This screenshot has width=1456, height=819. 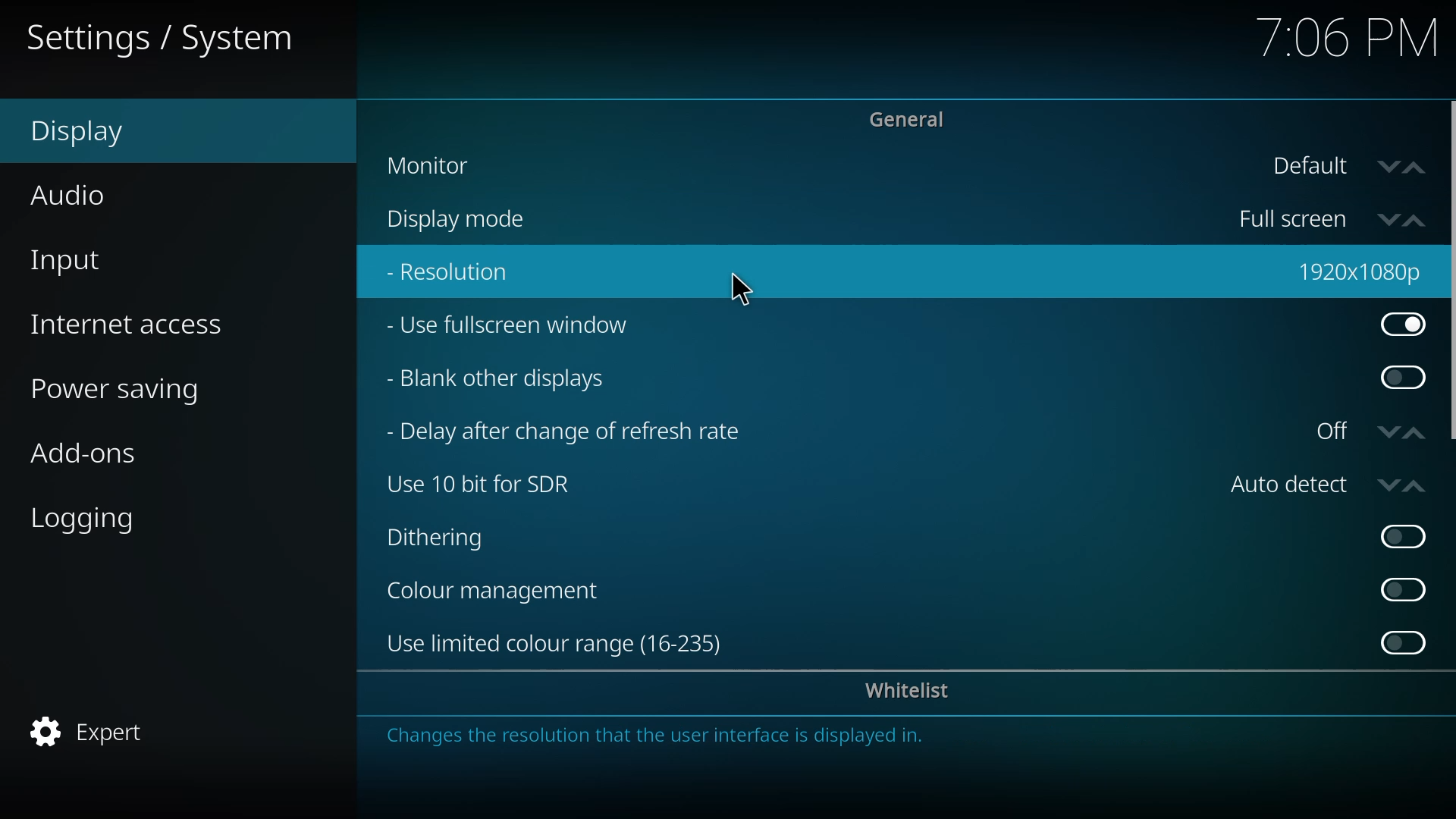 What do you see at coordinates (1332, 215) in the screenshot?
I see `fullscreen` at bounding box center [1332, 215].